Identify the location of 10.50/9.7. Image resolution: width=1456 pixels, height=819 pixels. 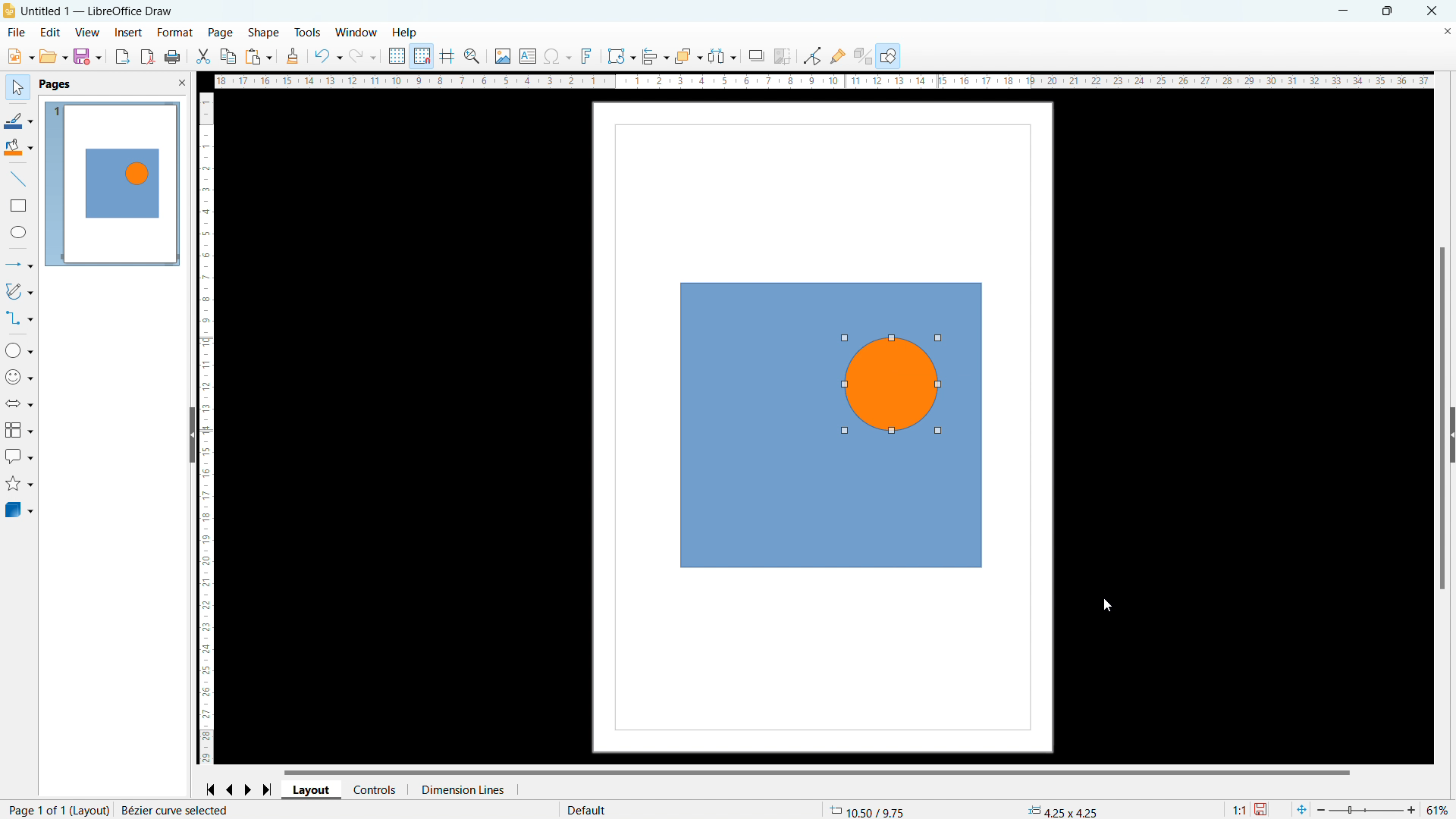
(872, 808).